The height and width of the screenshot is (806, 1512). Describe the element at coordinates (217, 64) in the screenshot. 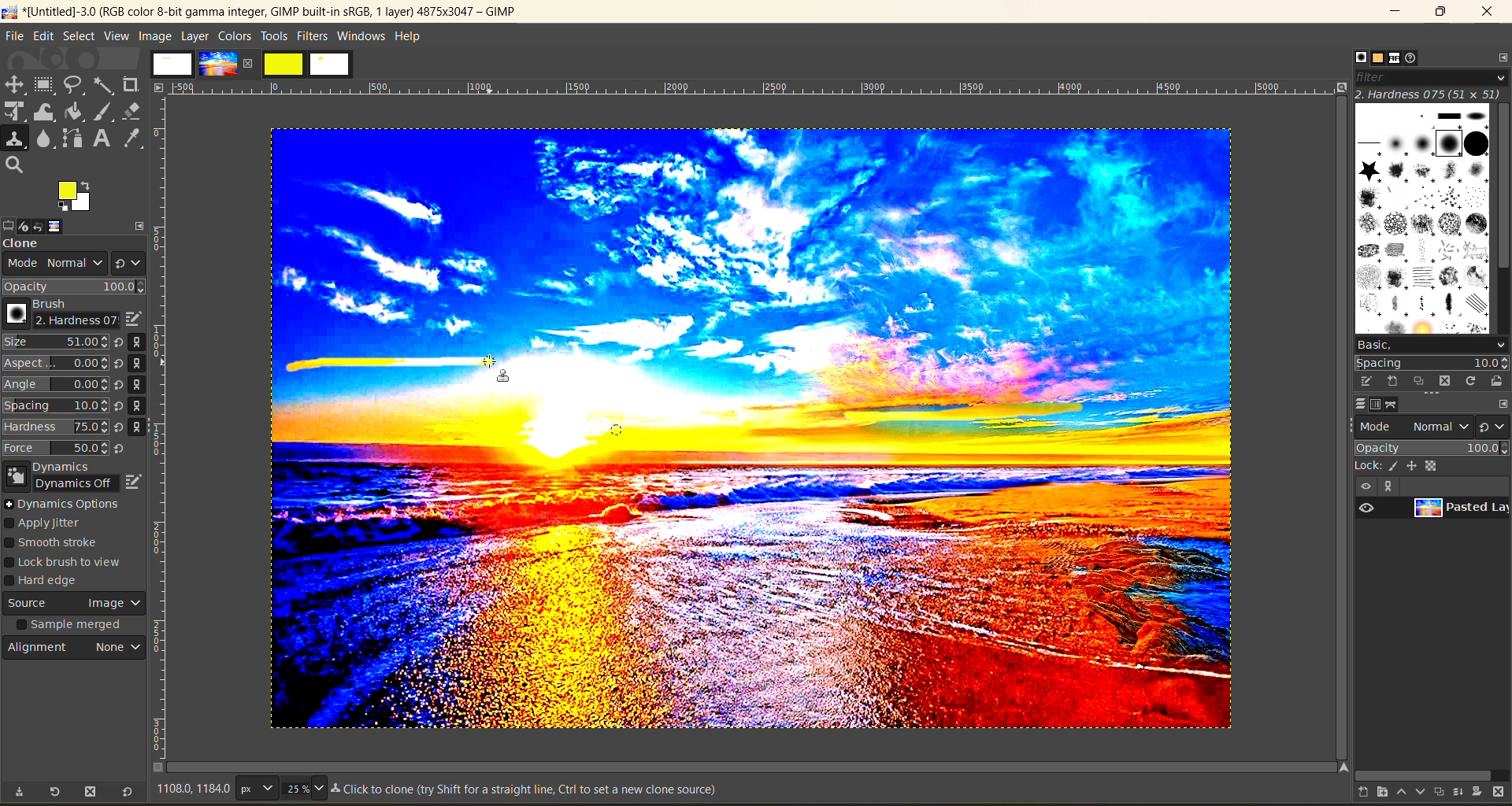

I see `image` at that location.